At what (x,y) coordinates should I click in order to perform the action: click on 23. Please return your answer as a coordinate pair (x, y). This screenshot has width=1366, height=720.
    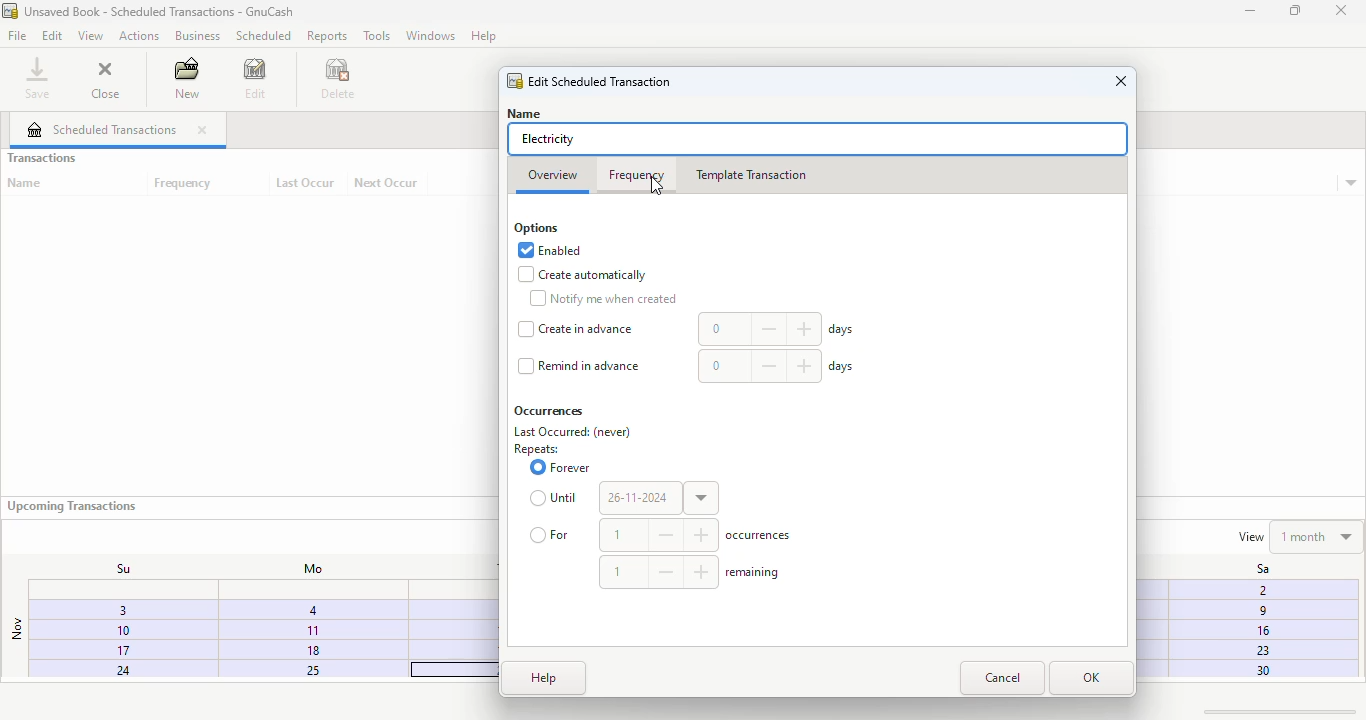
    Looking at the image, I should click on (1260, 650).